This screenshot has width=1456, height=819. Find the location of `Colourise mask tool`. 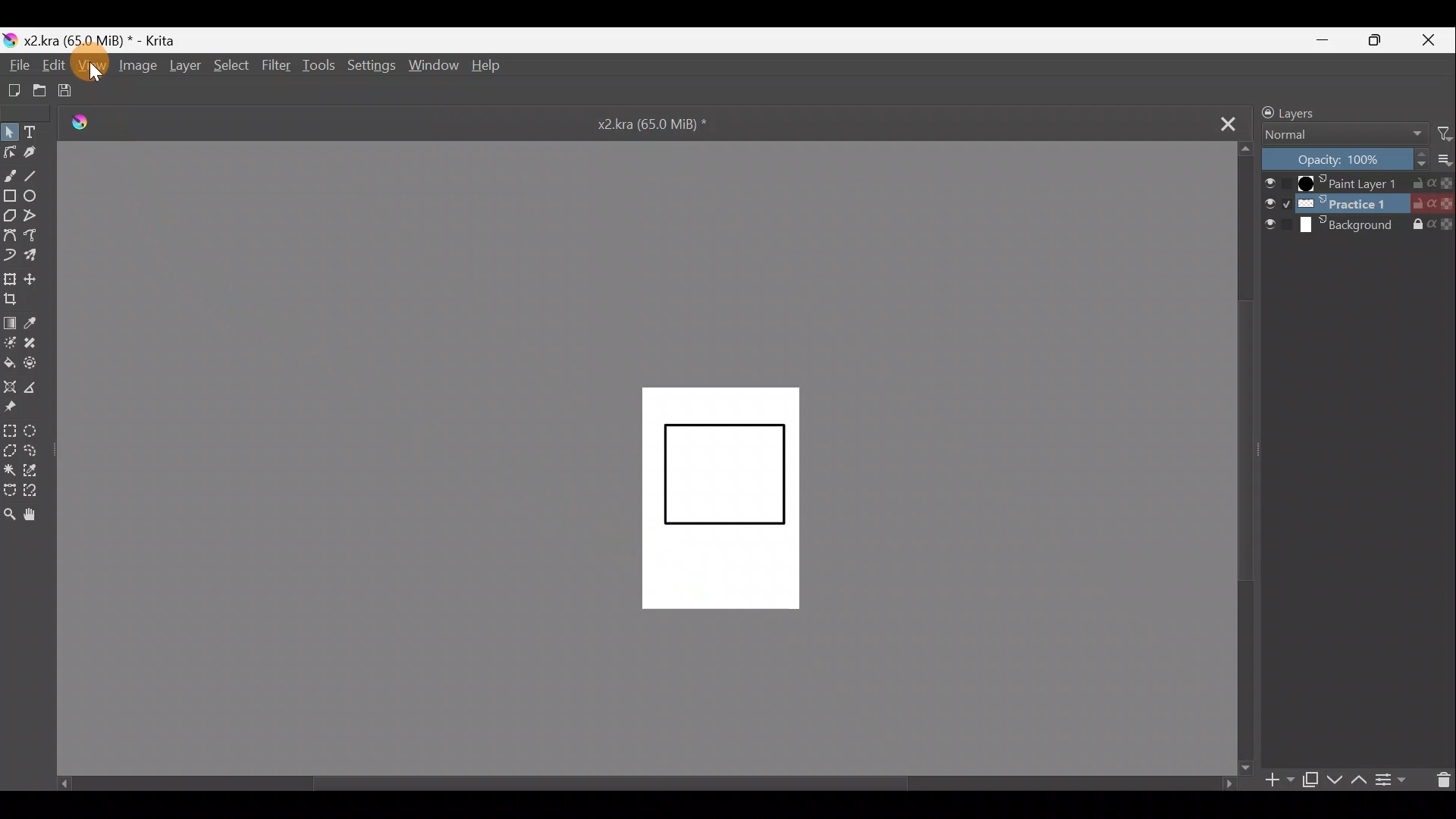

Colourise mask tool is located at coordinates (10, 345).